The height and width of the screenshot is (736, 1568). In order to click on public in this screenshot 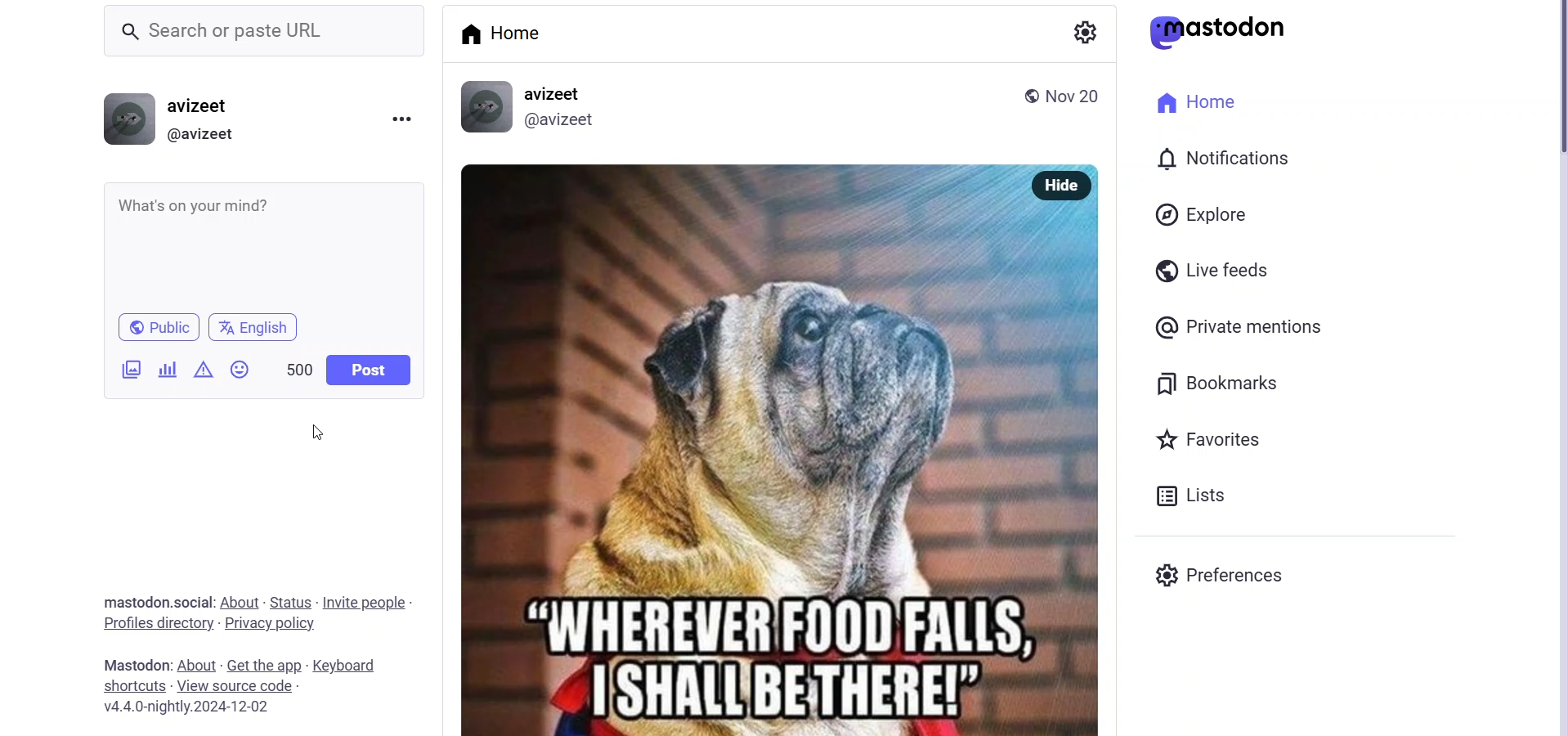, I will do `click(1025, 95)`.